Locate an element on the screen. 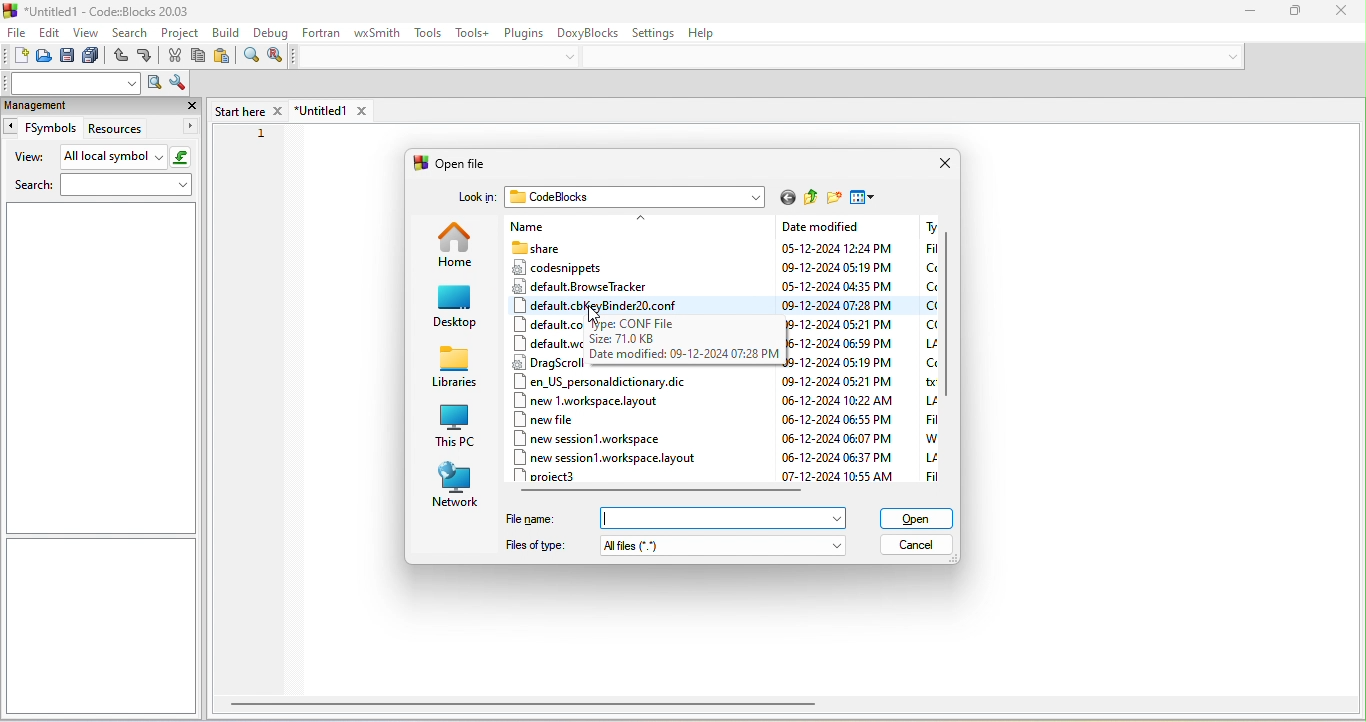 The width and height of the screenshot is (1366, 722). open is located at coordinates (920, 516).